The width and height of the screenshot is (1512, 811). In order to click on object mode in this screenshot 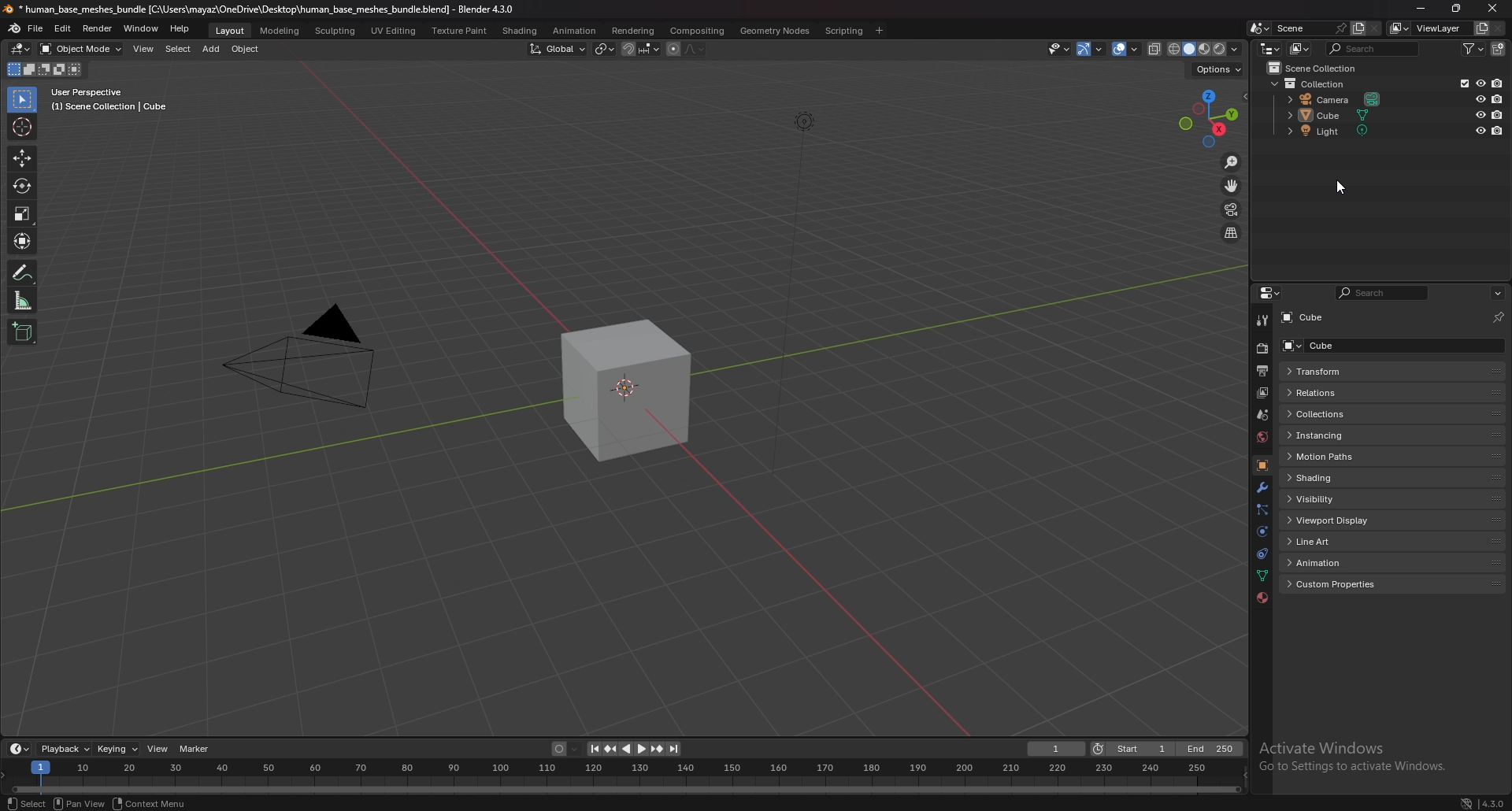, I will do `click(80, 49)`.